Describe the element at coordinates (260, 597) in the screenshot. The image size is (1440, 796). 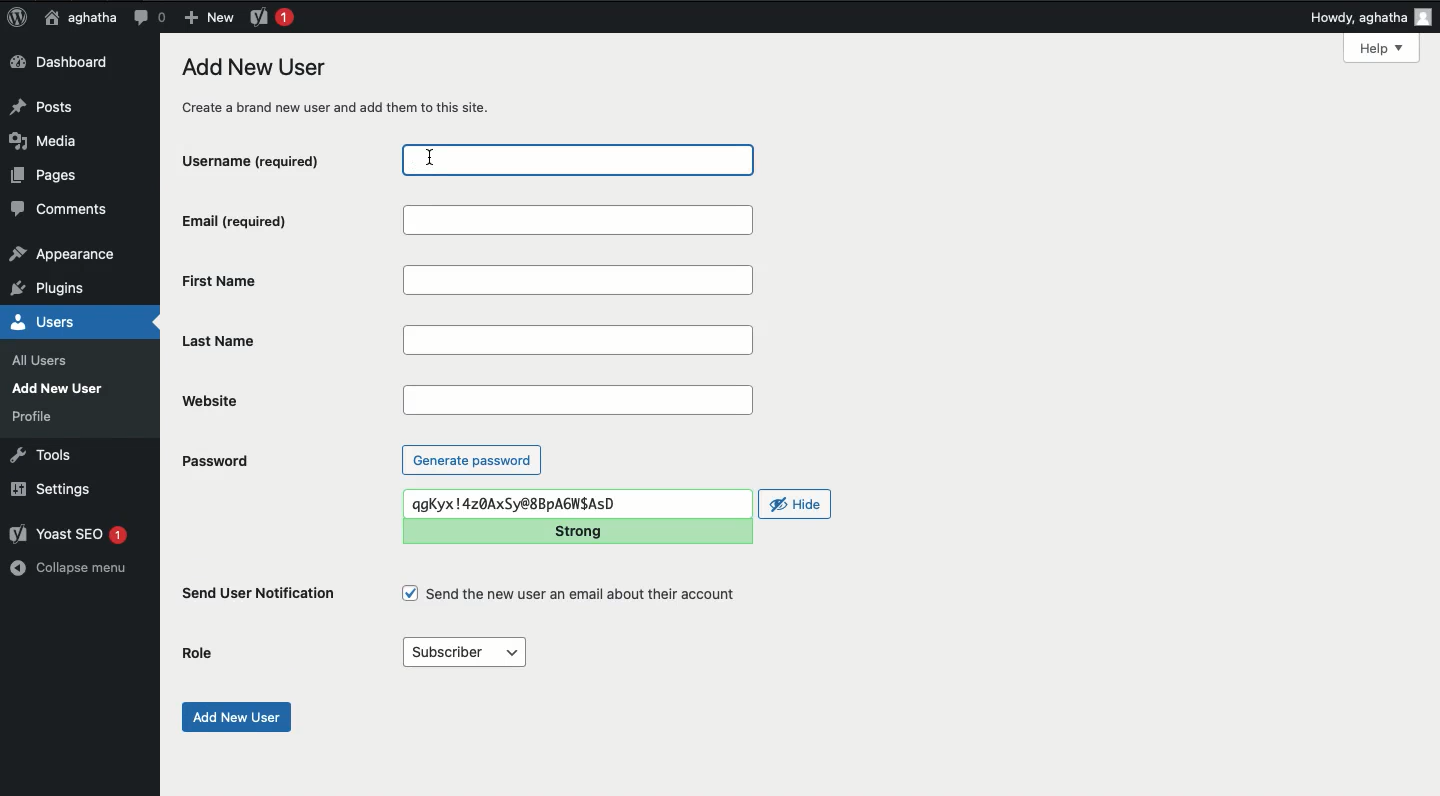
I see `Send user notification ` at that location.